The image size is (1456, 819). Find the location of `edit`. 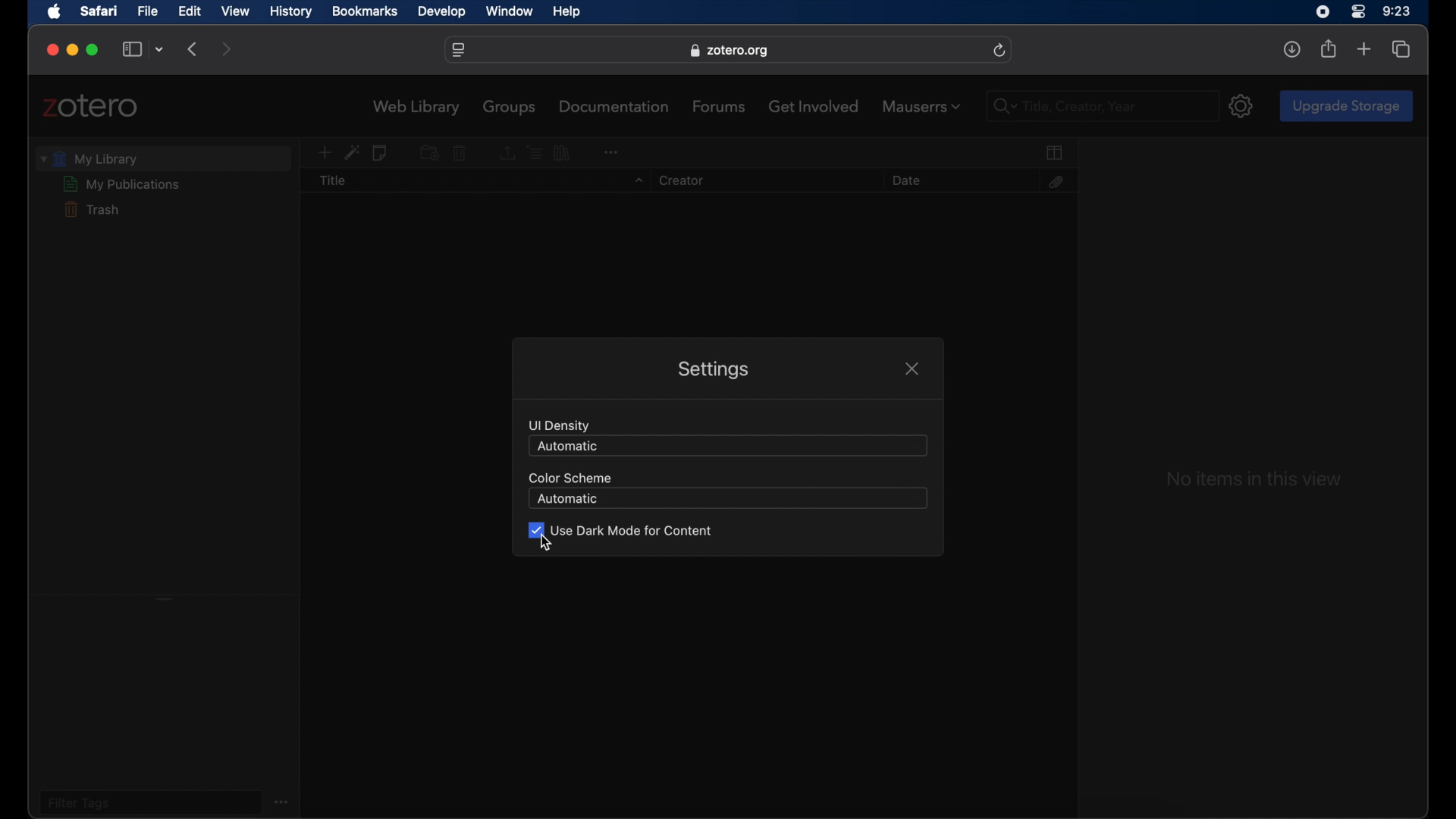

edit is located at coordinates (188, 11).